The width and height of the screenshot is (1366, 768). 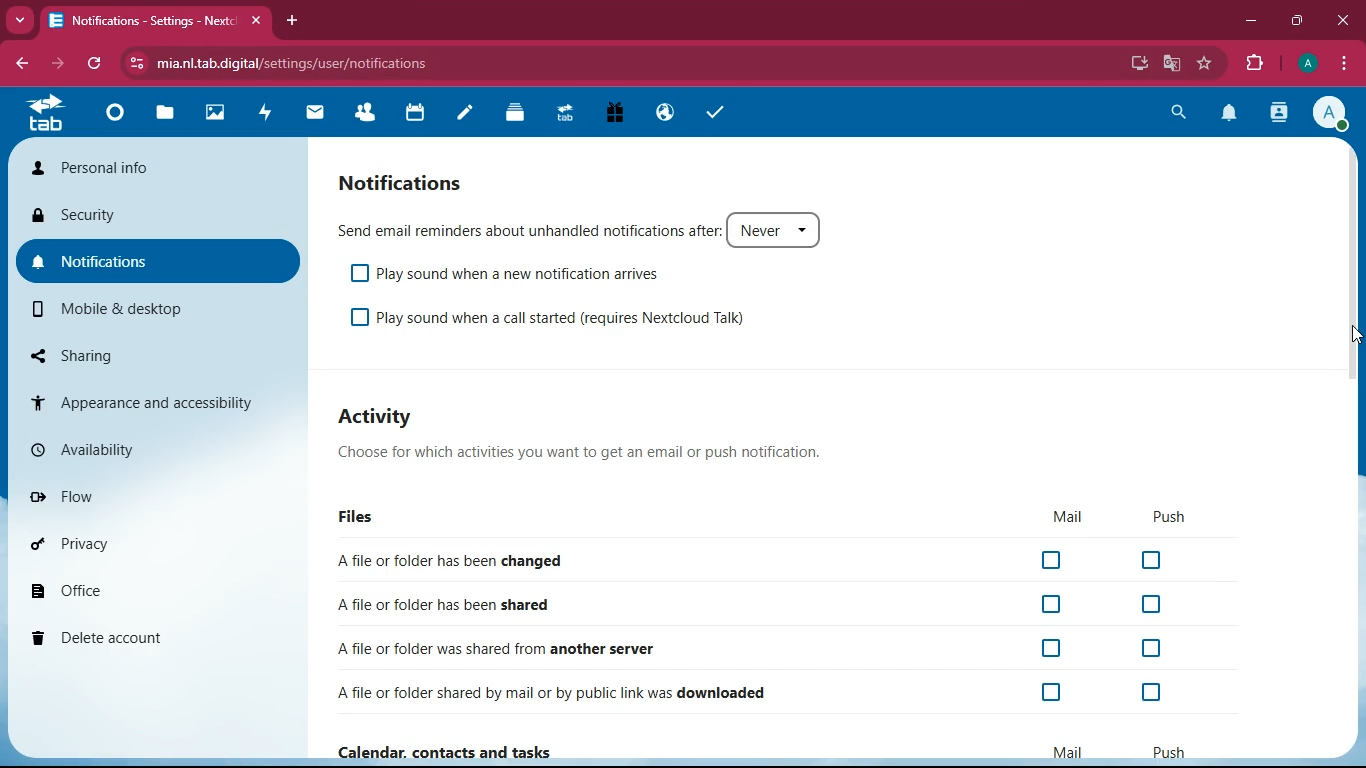 What do you see at coordinates (528, 231) in the screenshot?
I see `Send email reminders about unhandled notifications after:` at bounding box center [528, 231].